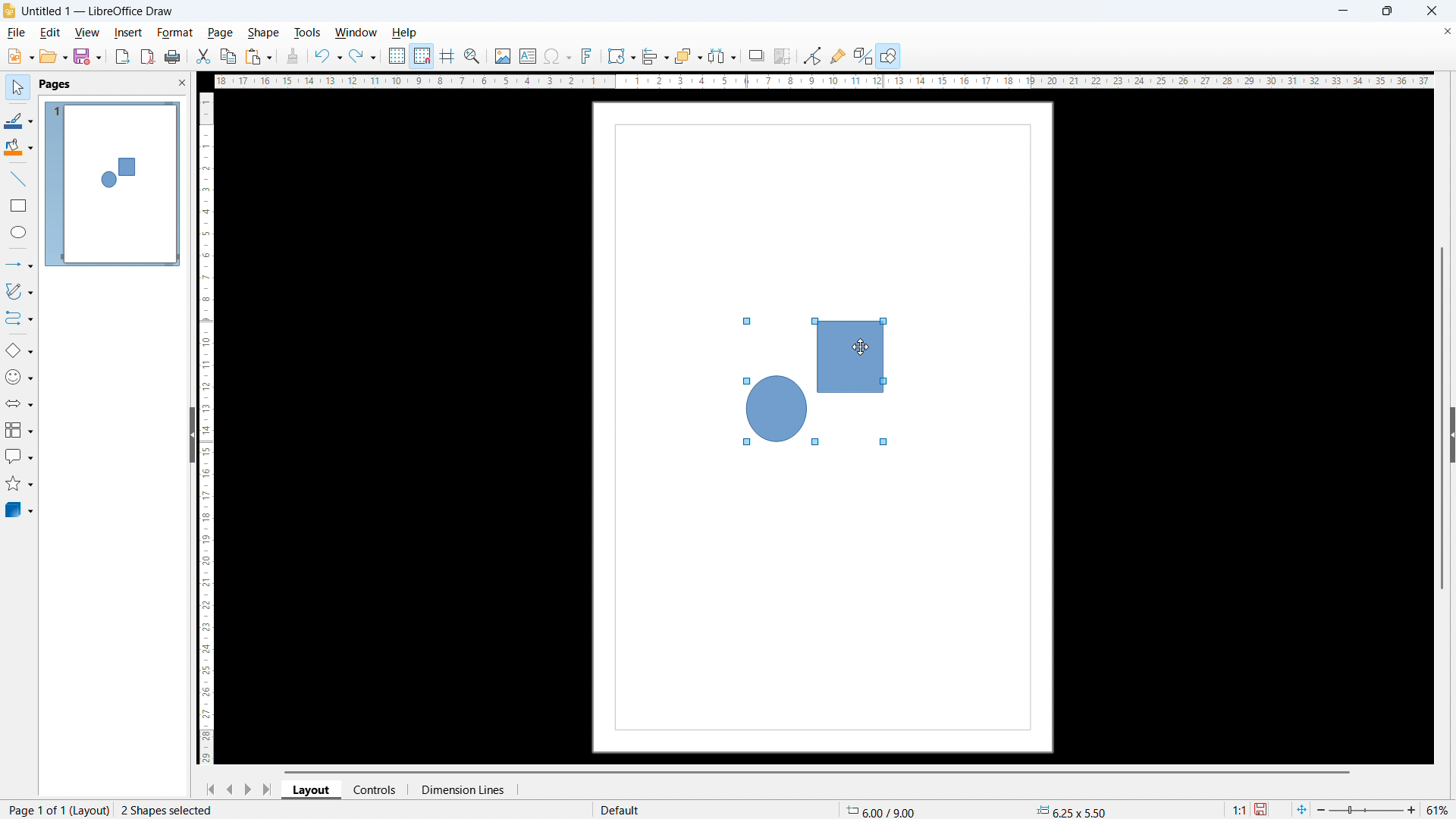 This screenshot has height=819, width=1456. I want to click on copy, so click(229, 56).